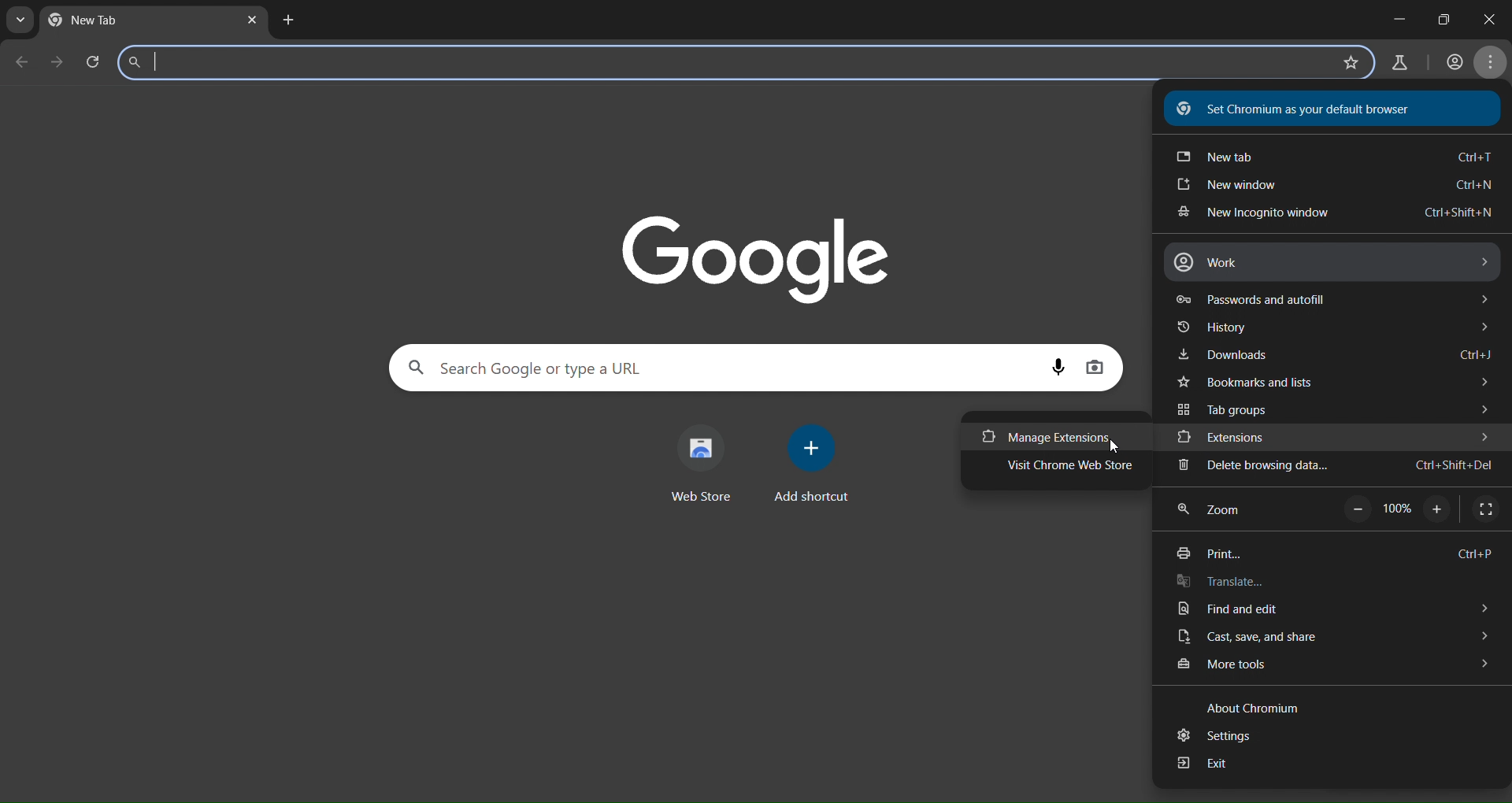 The height and width of the screenshot is (803, 1512). Describe the element at coordinates (1332, 356) in the screenshot. I see `downloads` at that location.